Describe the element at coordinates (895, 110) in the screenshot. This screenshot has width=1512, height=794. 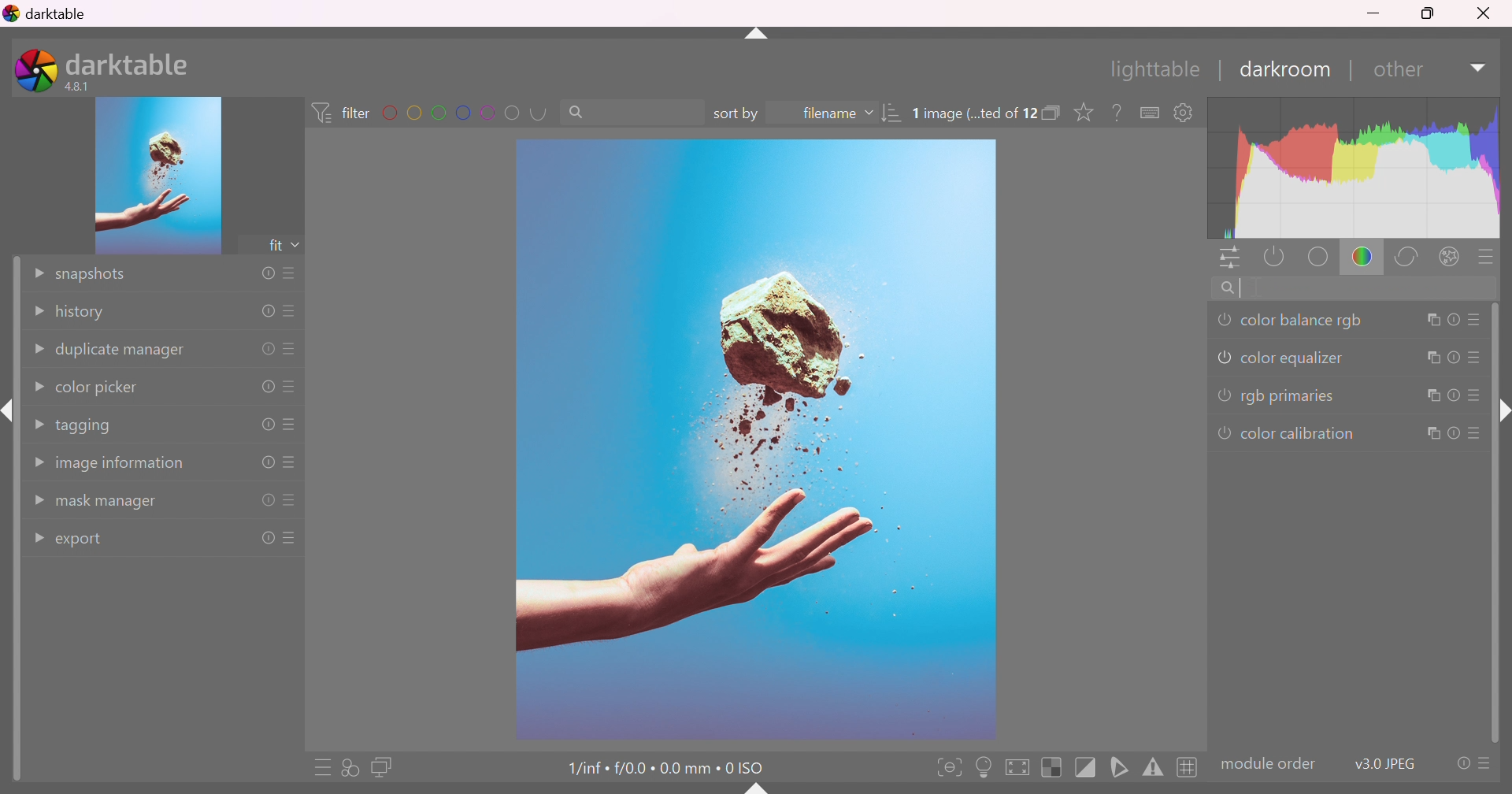
I see `sort` at that location.